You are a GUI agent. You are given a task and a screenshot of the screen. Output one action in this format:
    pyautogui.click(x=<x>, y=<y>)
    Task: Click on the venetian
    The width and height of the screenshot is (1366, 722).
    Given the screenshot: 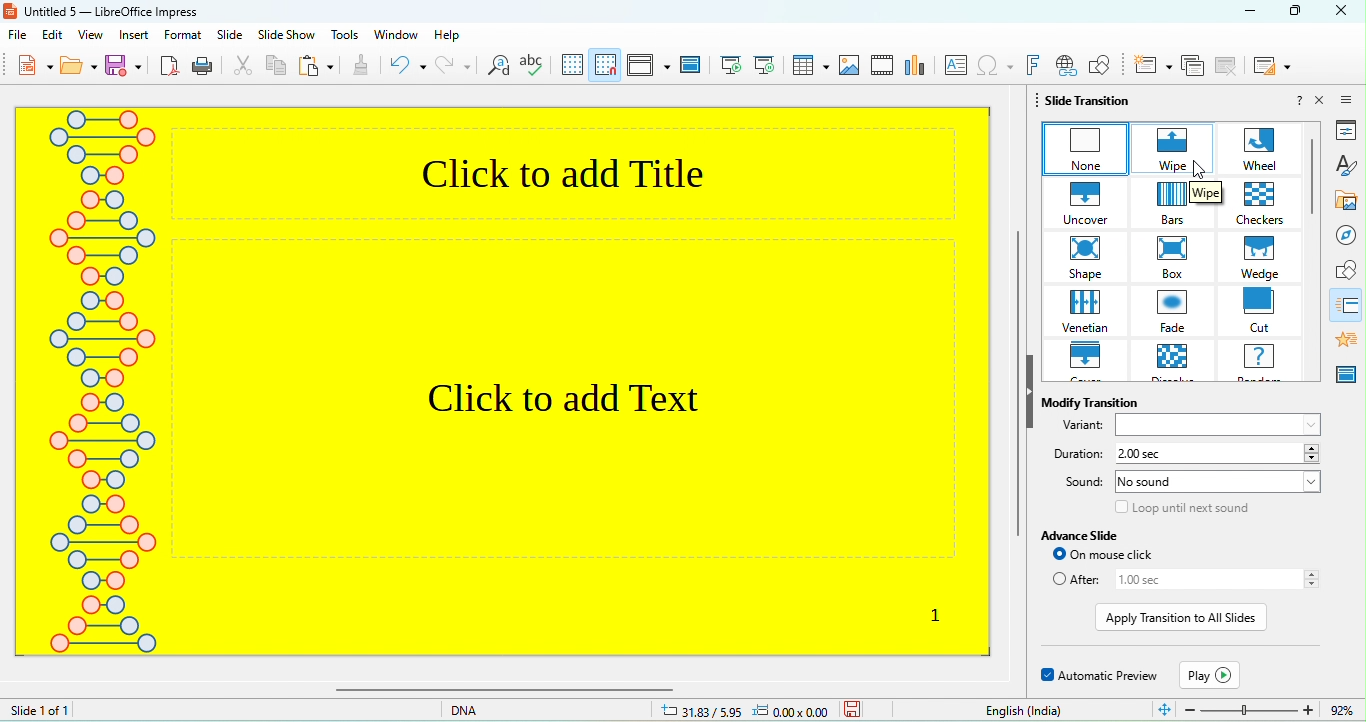 What is the action you would take?
    pyautogui.click(x=1088, y=311)
    